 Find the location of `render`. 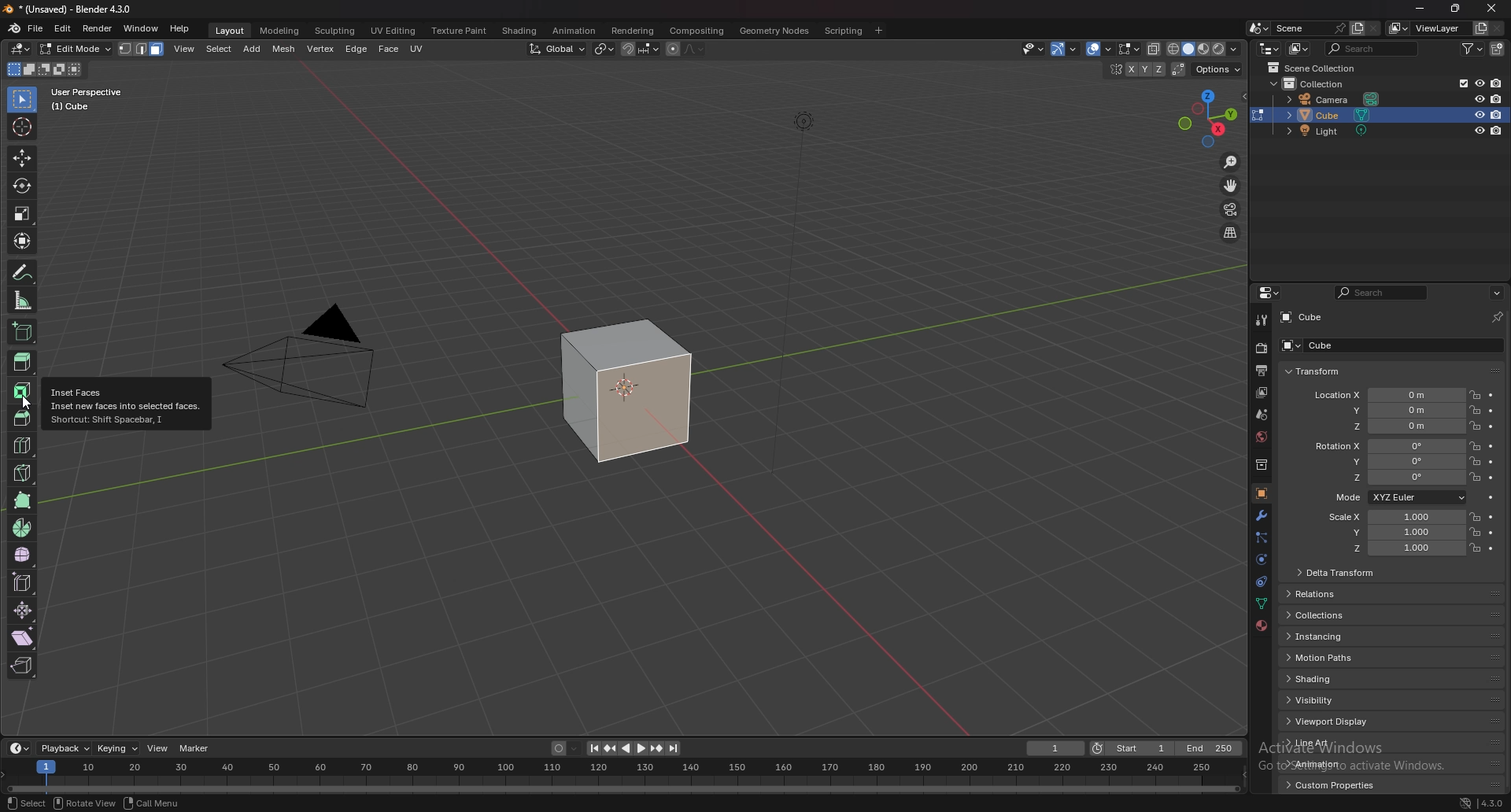

render is located at coordinates (1261, 349).